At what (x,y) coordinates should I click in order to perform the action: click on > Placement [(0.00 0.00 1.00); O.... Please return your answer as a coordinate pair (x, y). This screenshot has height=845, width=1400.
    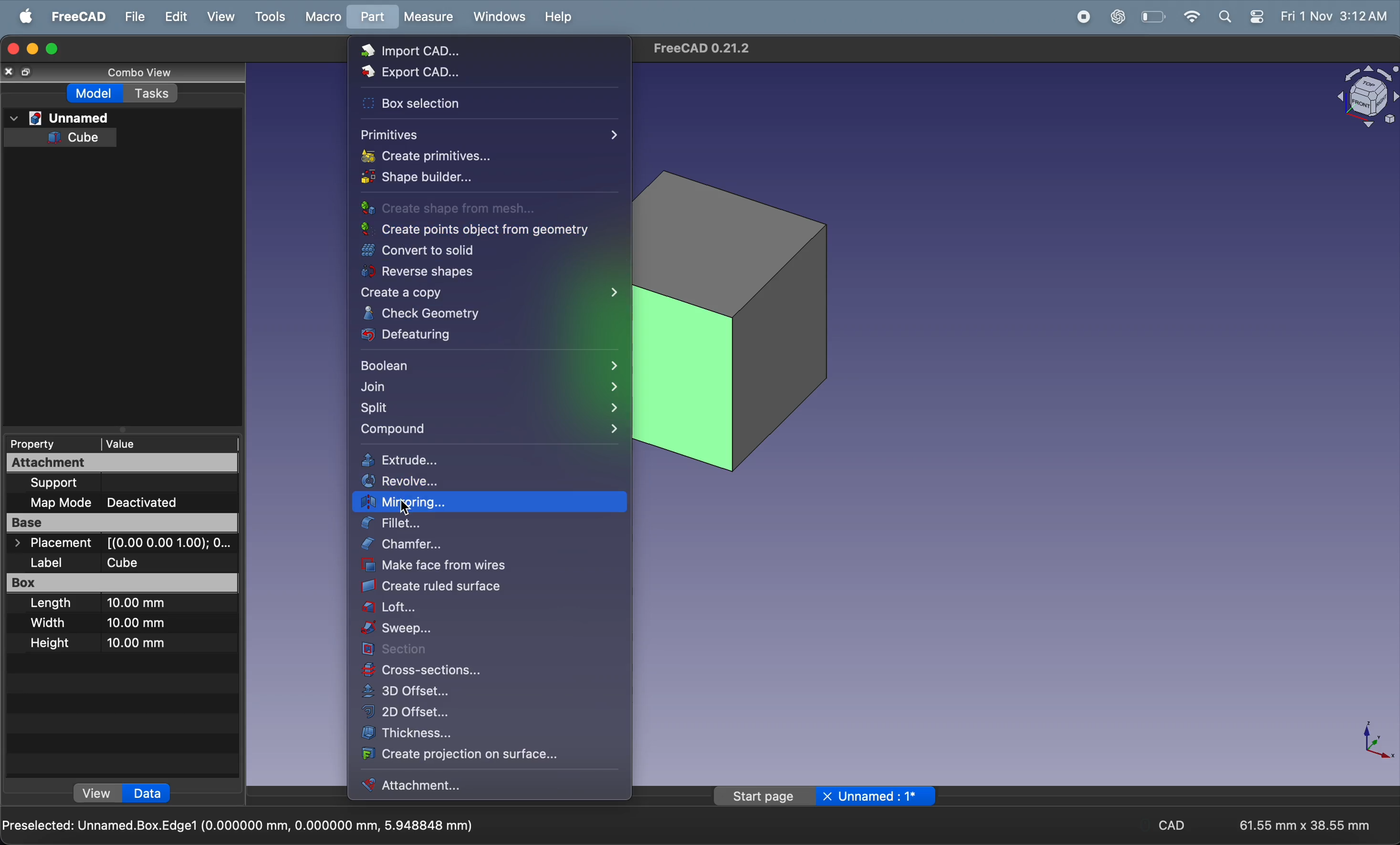
    Looking at the image, I should click on (119, 544).